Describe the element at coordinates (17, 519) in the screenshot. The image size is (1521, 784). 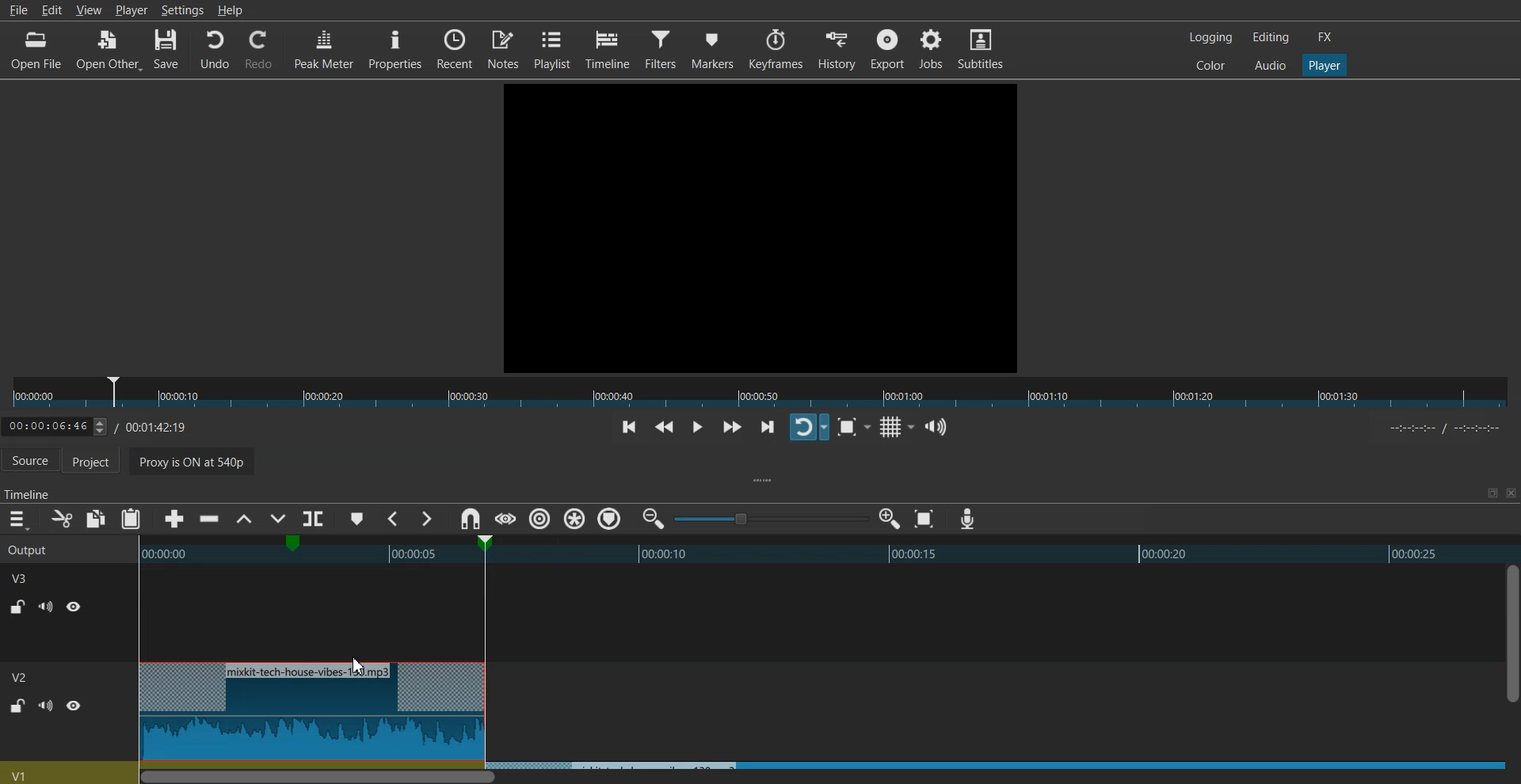
I see `Hamburger menu` at that location.